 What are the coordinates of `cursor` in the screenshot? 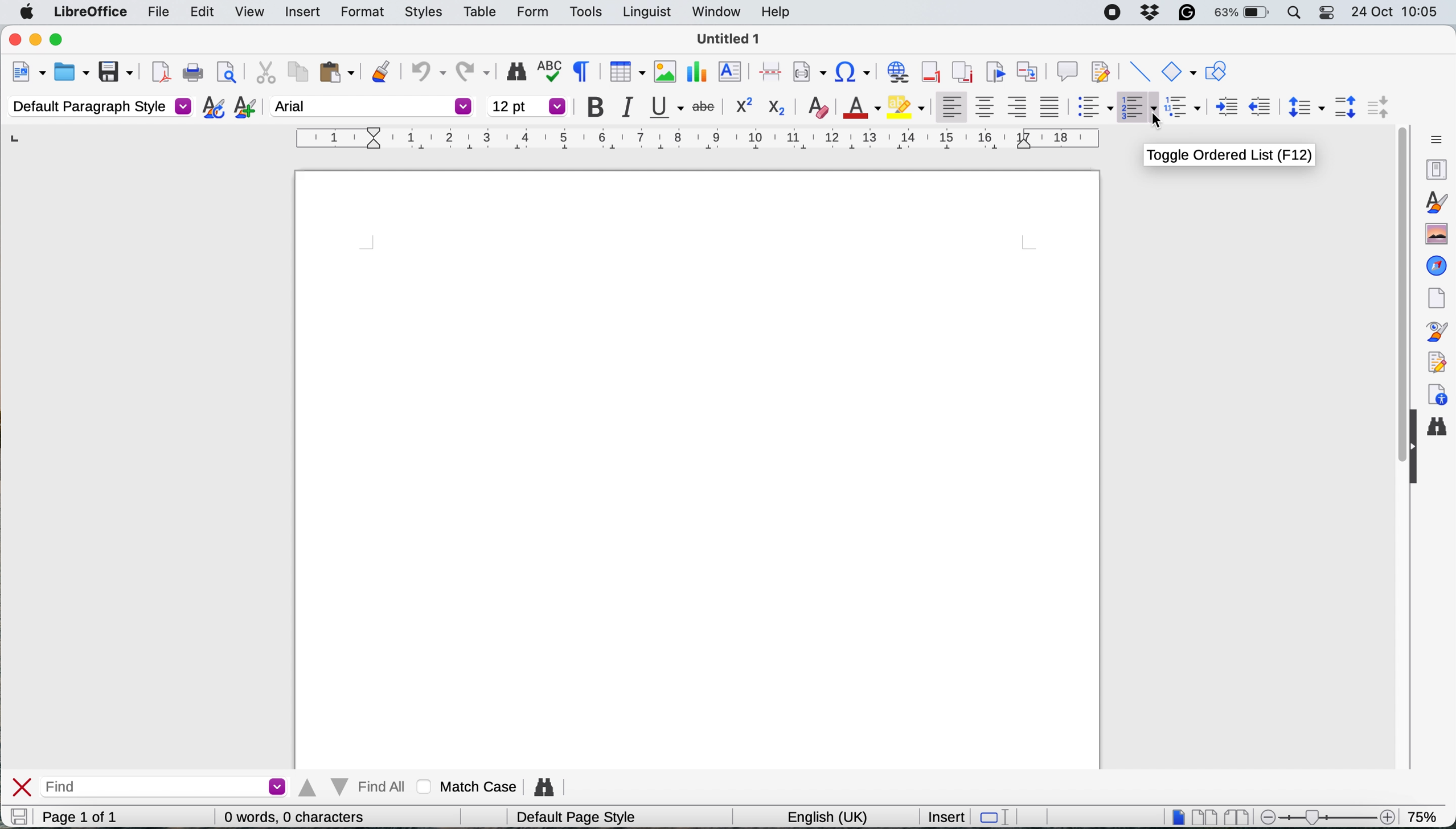 It's located at (1157, 119).